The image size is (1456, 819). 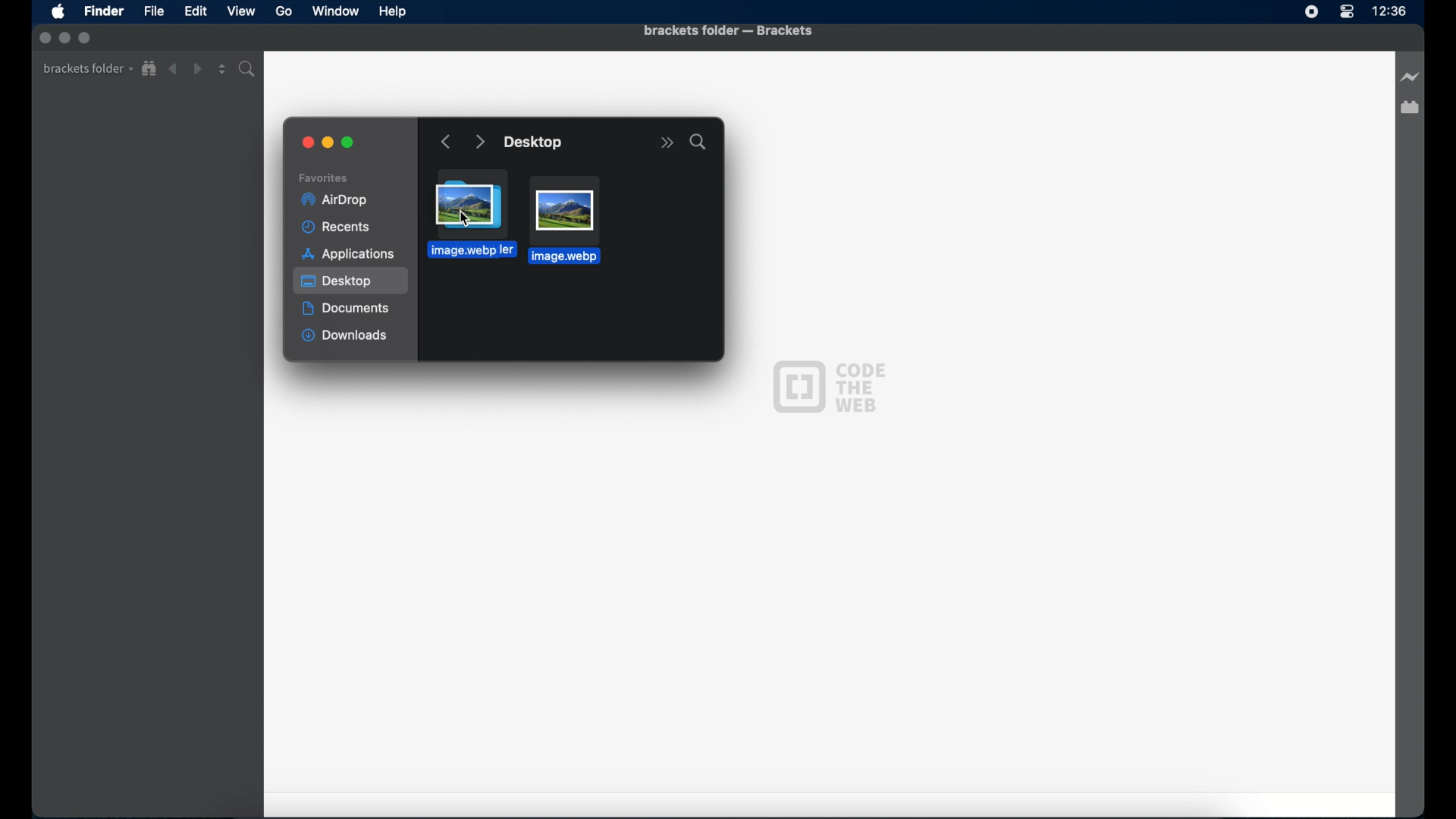 I want to click on documents, so click(x=347, y=309).